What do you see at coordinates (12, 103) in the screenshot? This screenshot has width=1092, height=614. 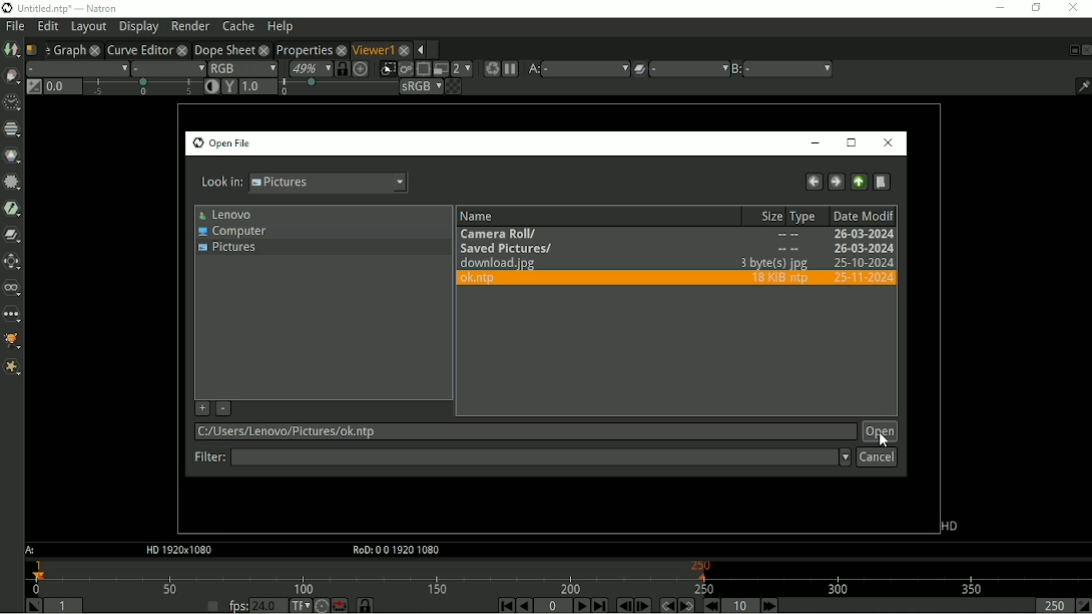 I see `Time` at bounding box center [12, 103].